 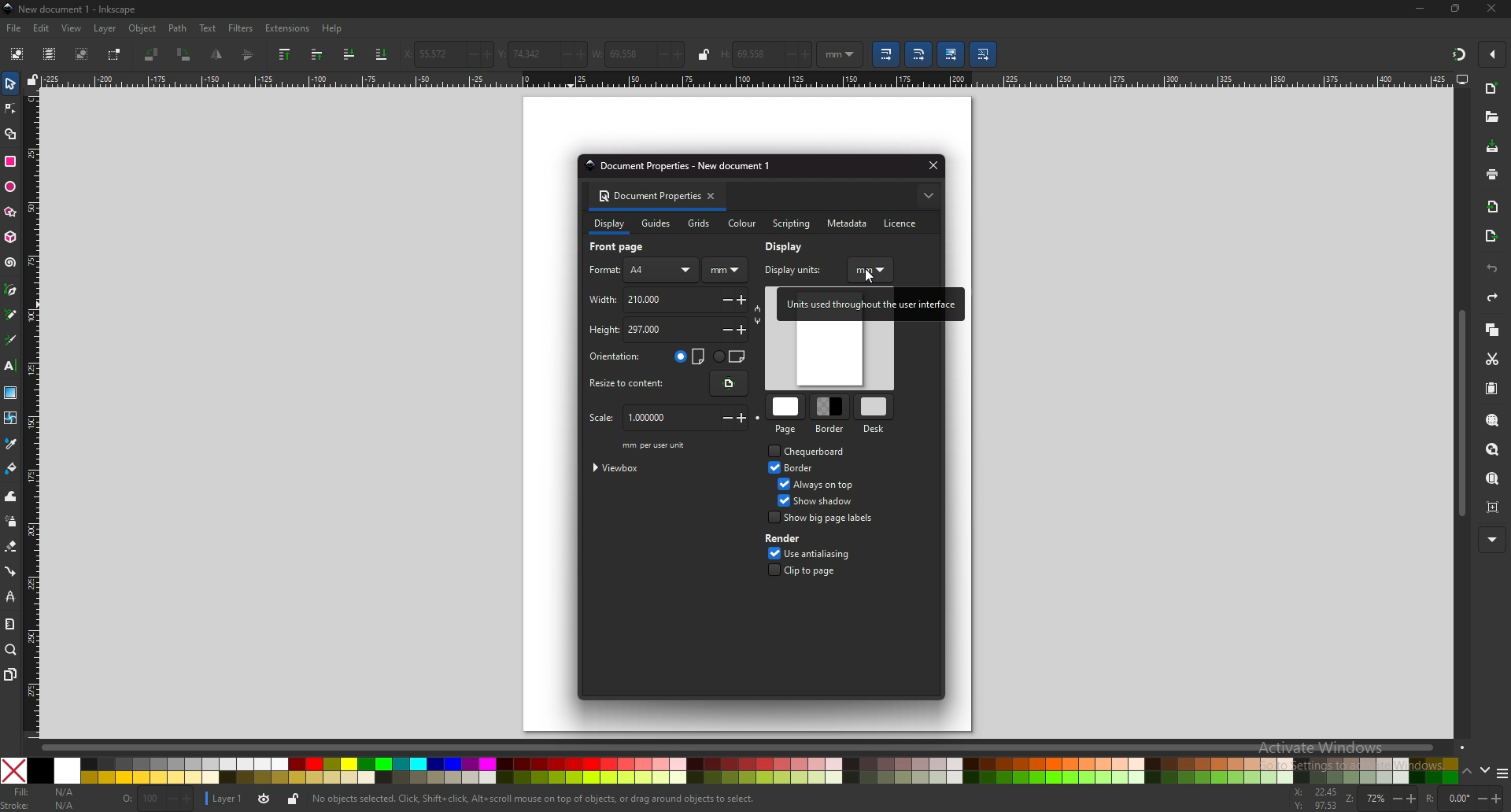 What do you see at coordinates (638, 299) in the screenshot?
I see `width` at bounding box center [638, 299].